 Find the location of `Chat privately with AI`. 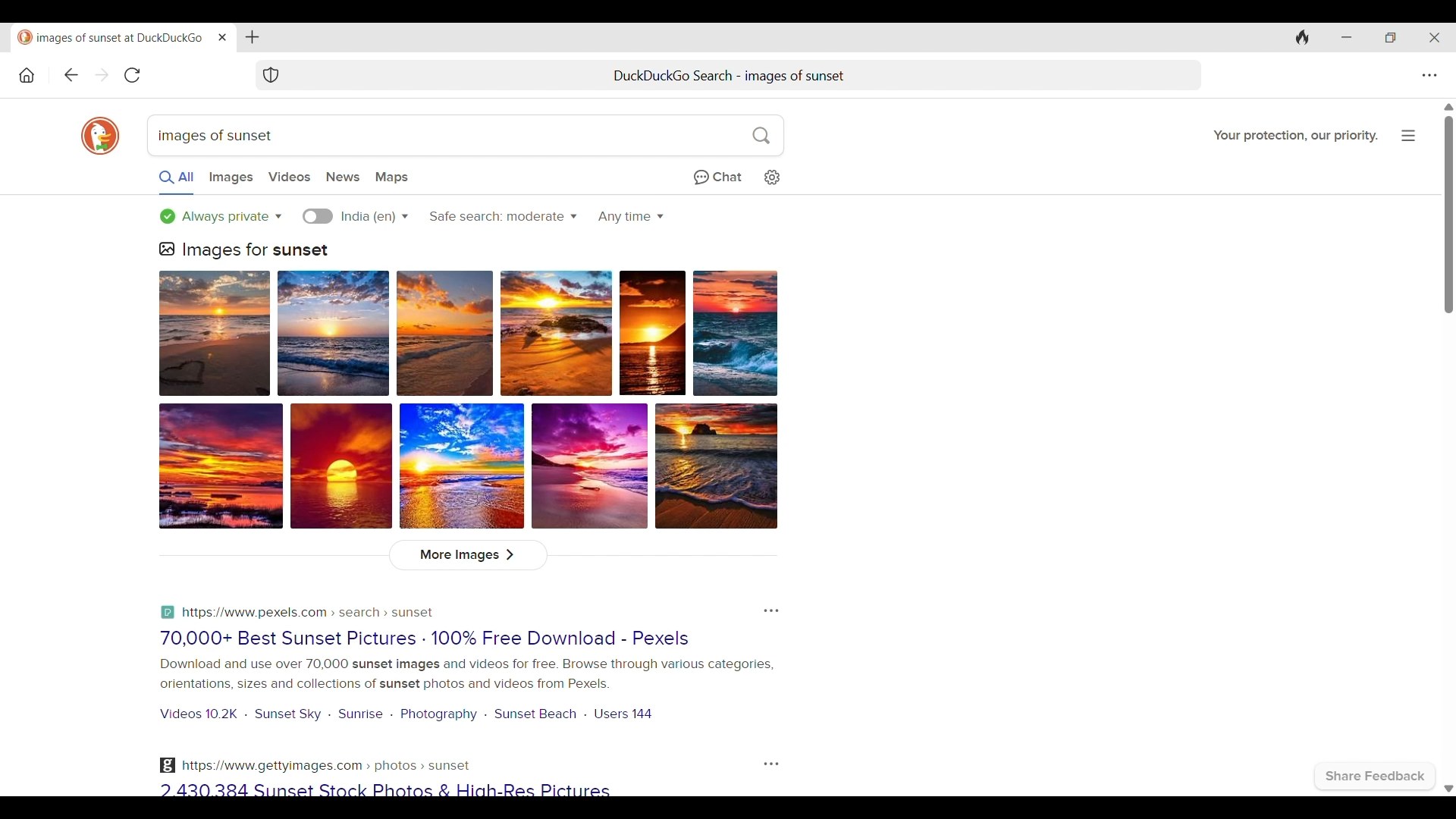

Chat privately with AI is located at coordinates (717, 177).